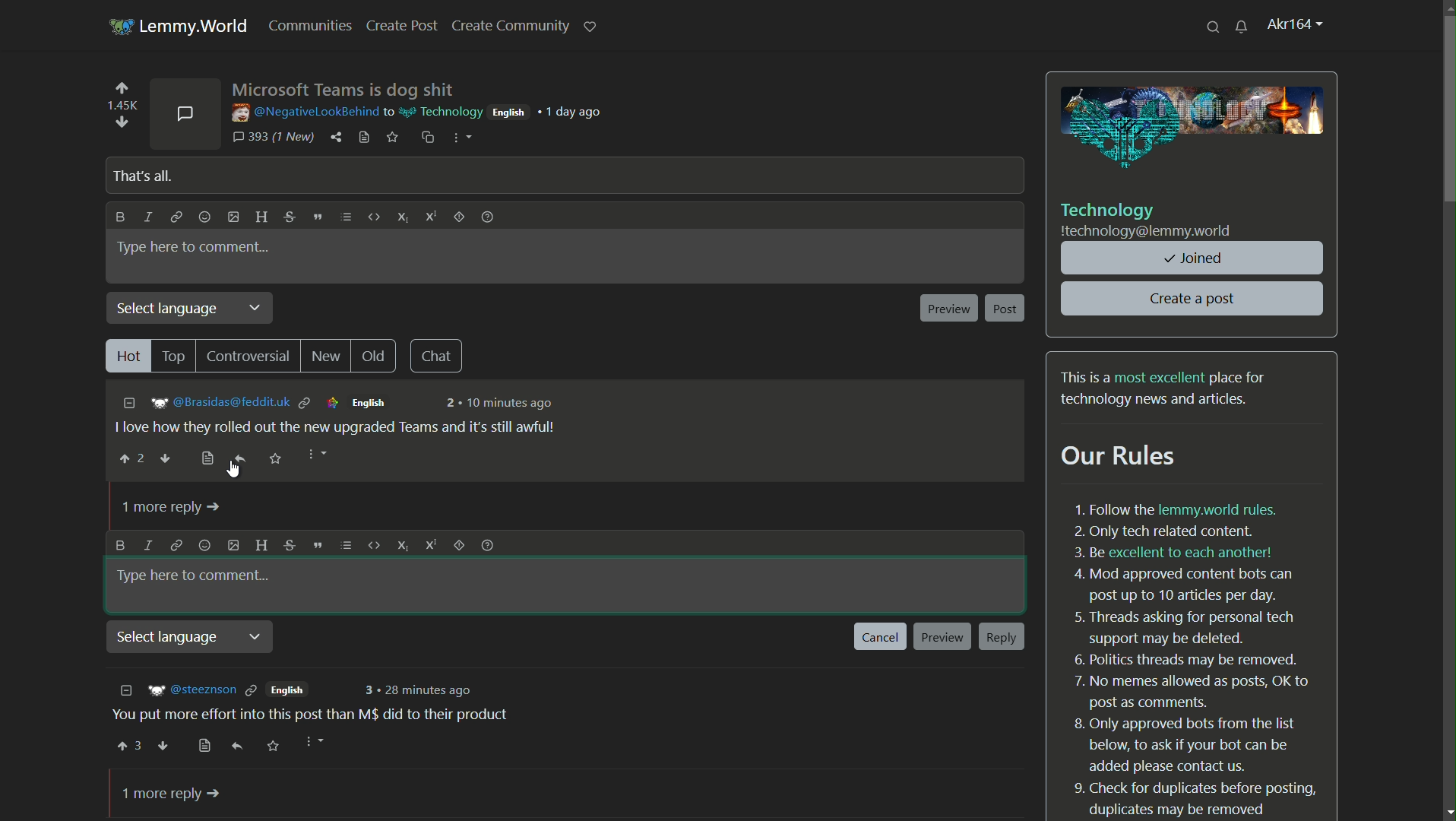  I want to click on spoiler, so click(457, 546).